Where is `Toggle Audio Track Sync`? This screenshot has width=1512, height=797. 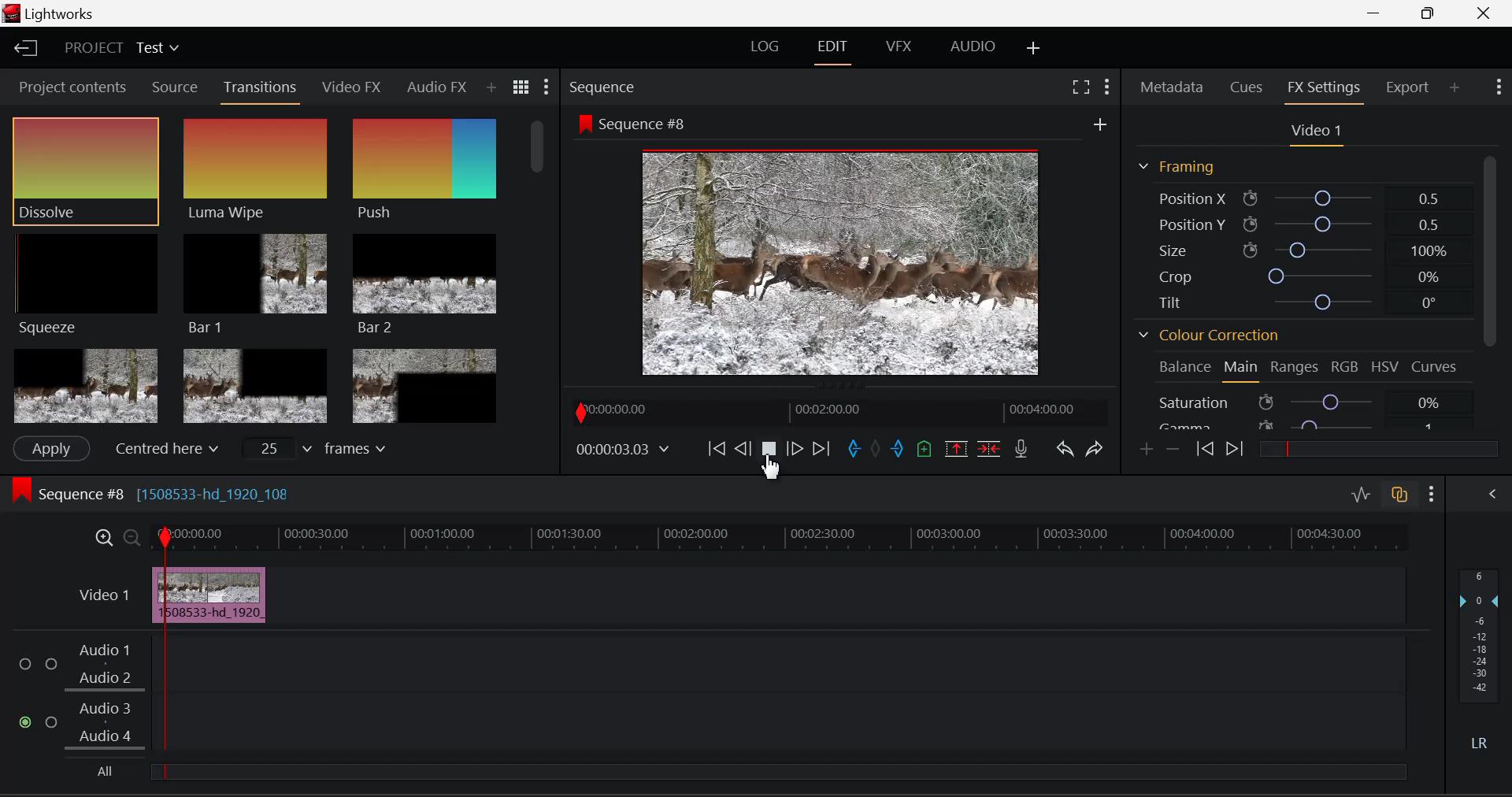 Toggle Audio Track Sync is located at coordinates (1402, 496).